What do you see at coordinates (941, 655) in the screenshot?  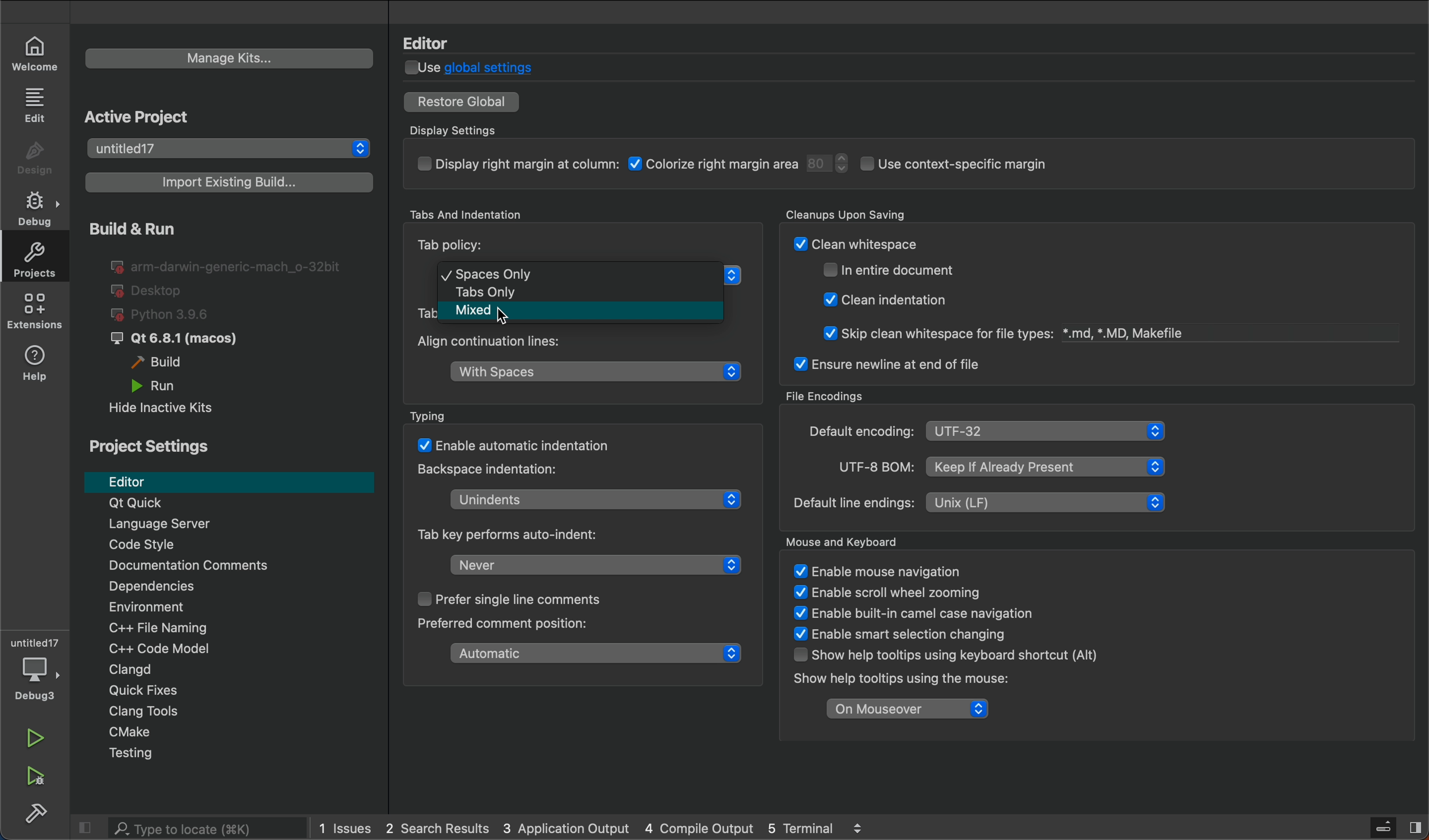 I see `show help` at bounding box center [941, 655].